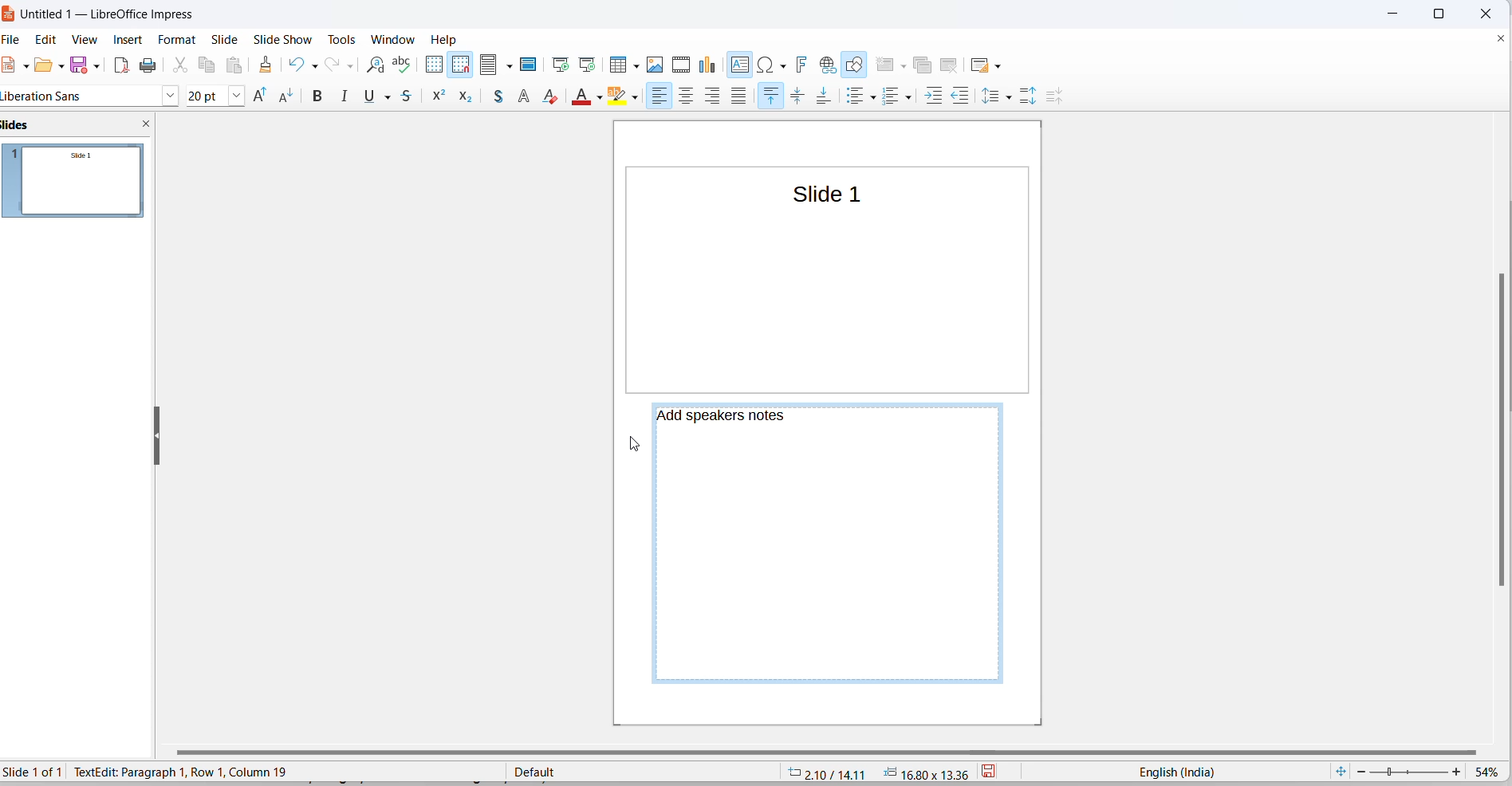 Image resolution: width=1512 pixels, height=786 pixels. Describe the element at coordinates (445, 99) in the screenshot. I see `flowcharts` at that location.